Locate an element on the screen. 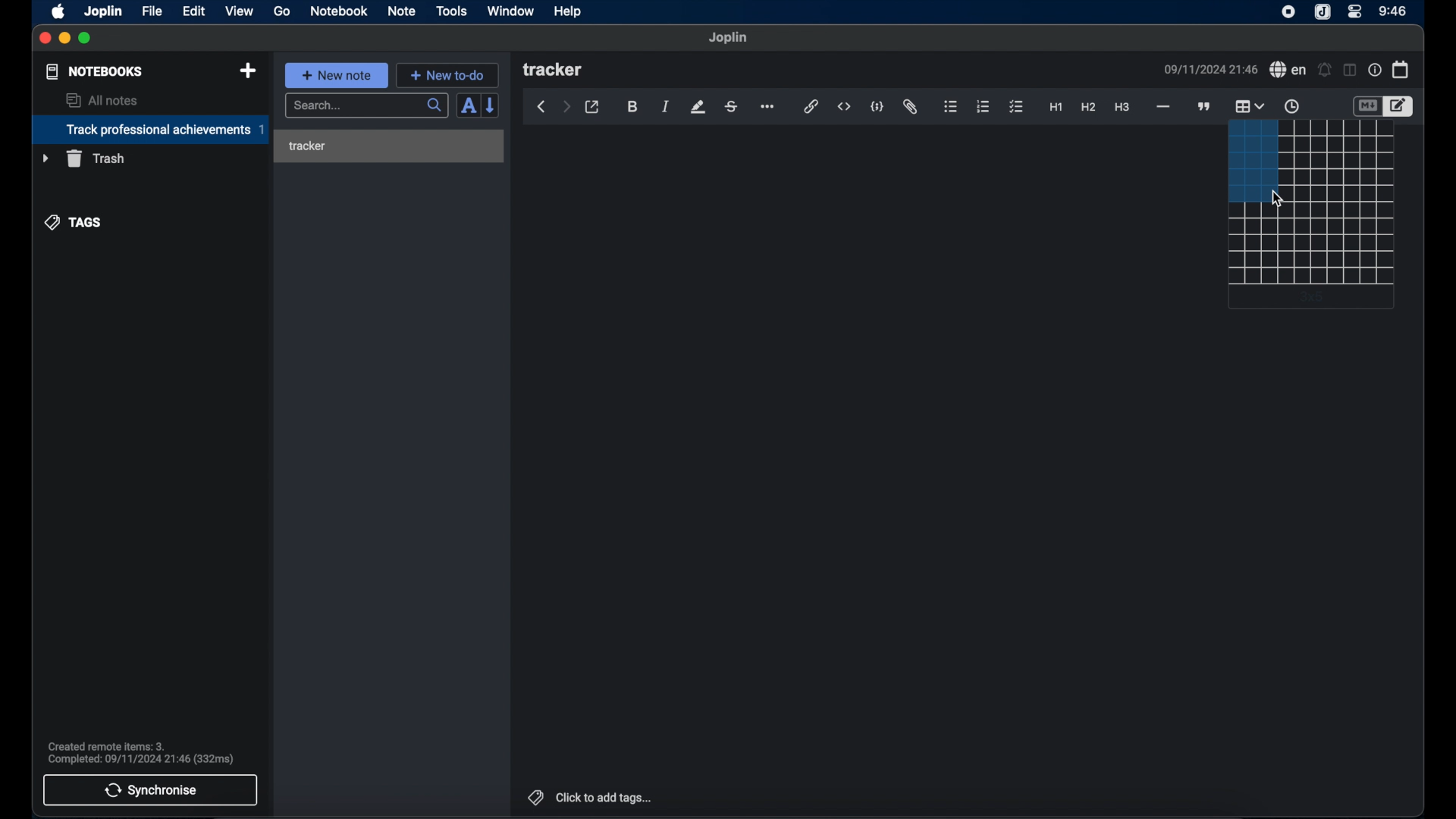 The height and width of the screenshot is (819, 1456). horizontal line is located at coordinates (1163, 107).